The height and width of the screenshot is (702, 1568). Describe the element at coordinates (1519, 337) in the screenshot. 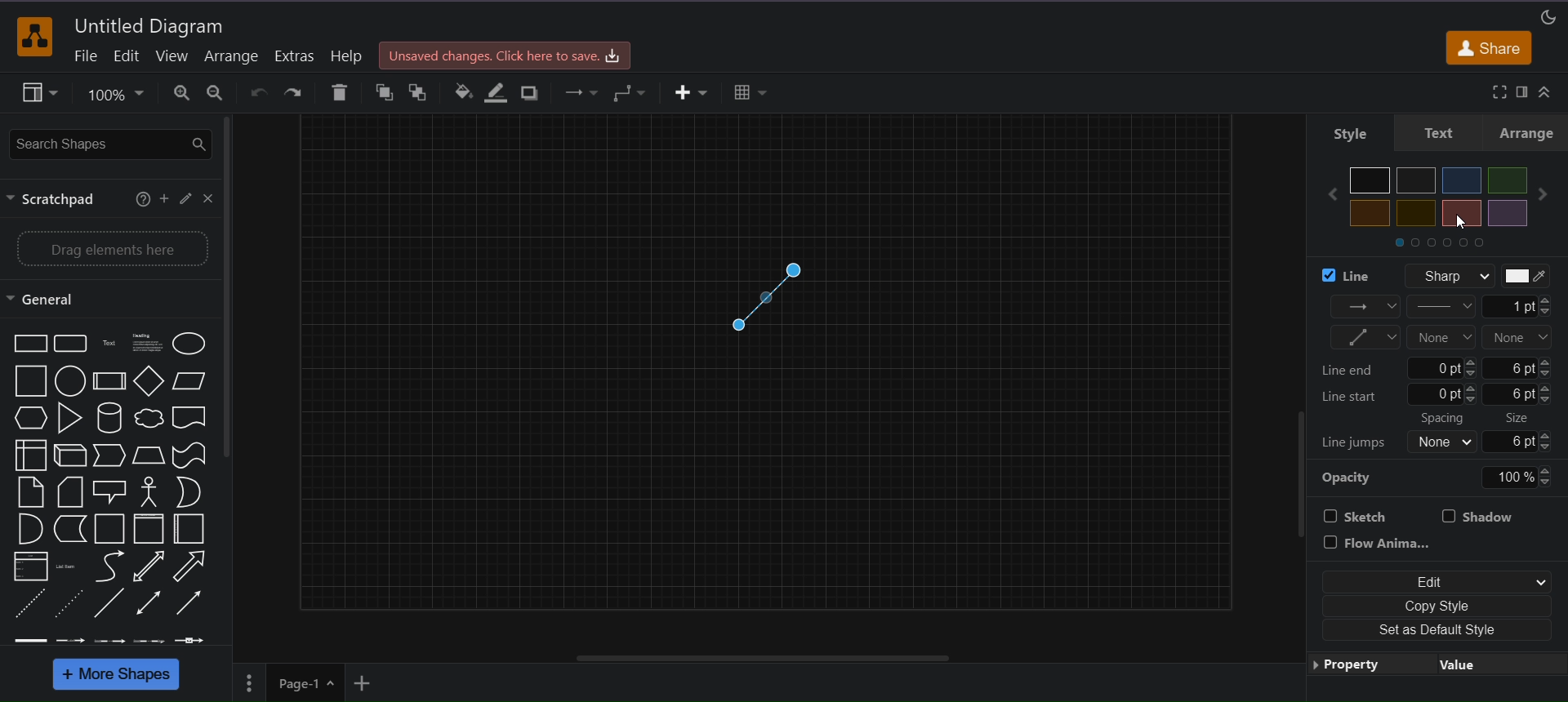

I see `line end` at that location.